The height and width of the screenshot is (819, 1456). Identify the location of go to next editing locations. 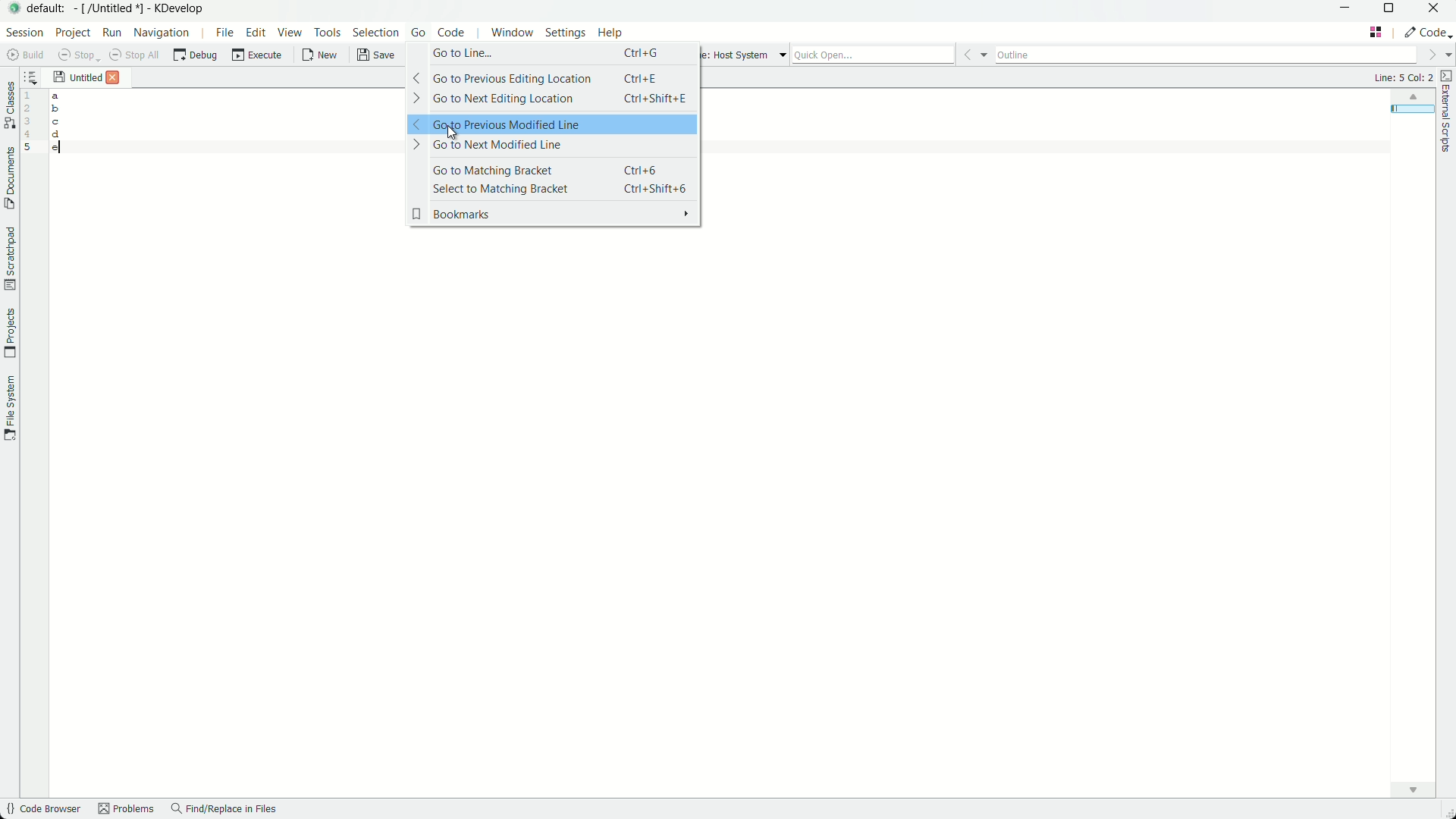
(551, 99).